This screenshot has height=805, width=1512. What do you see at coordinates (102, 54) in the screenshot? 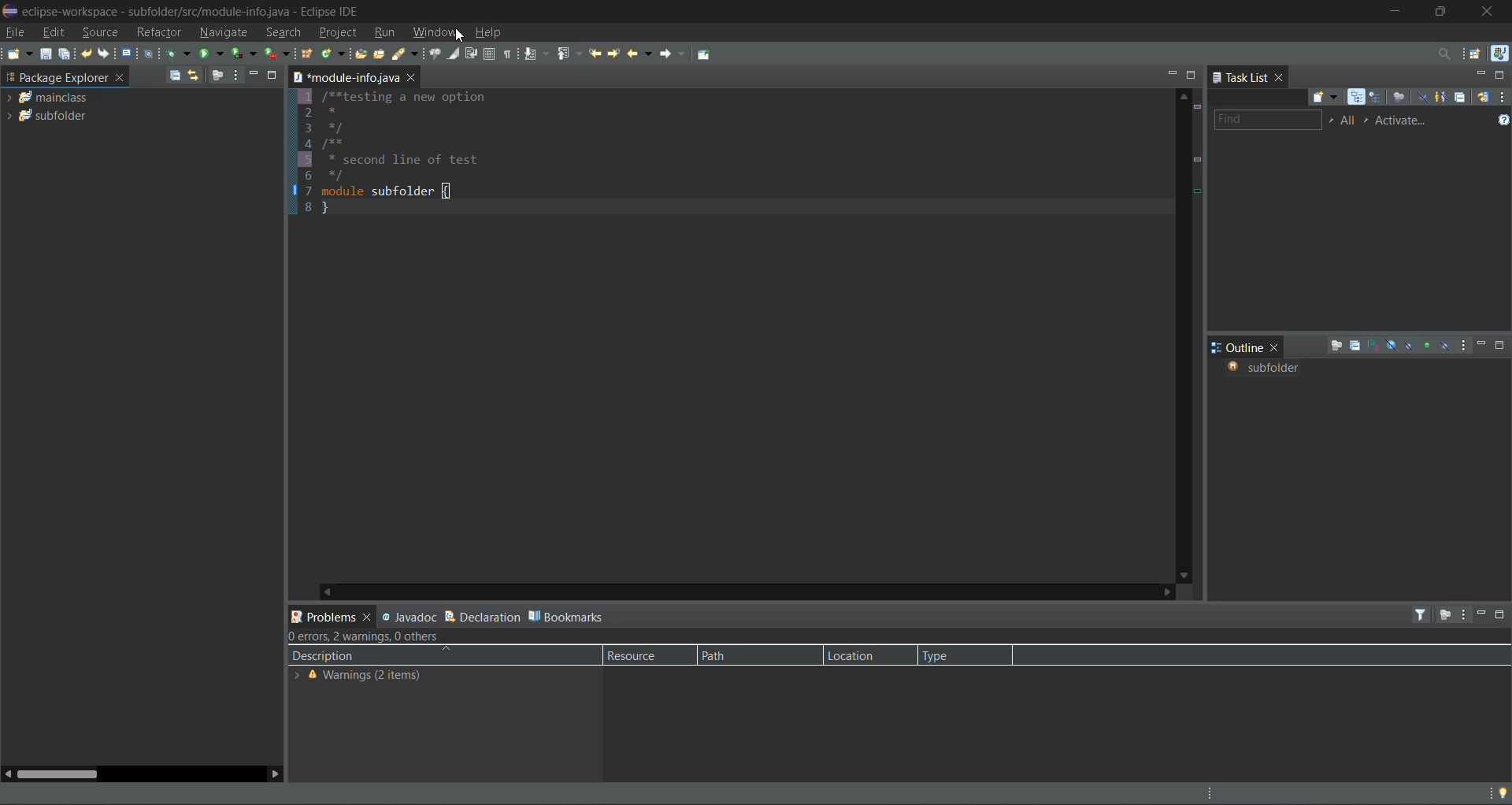
I see `redo` at bounding box center [102, 54].